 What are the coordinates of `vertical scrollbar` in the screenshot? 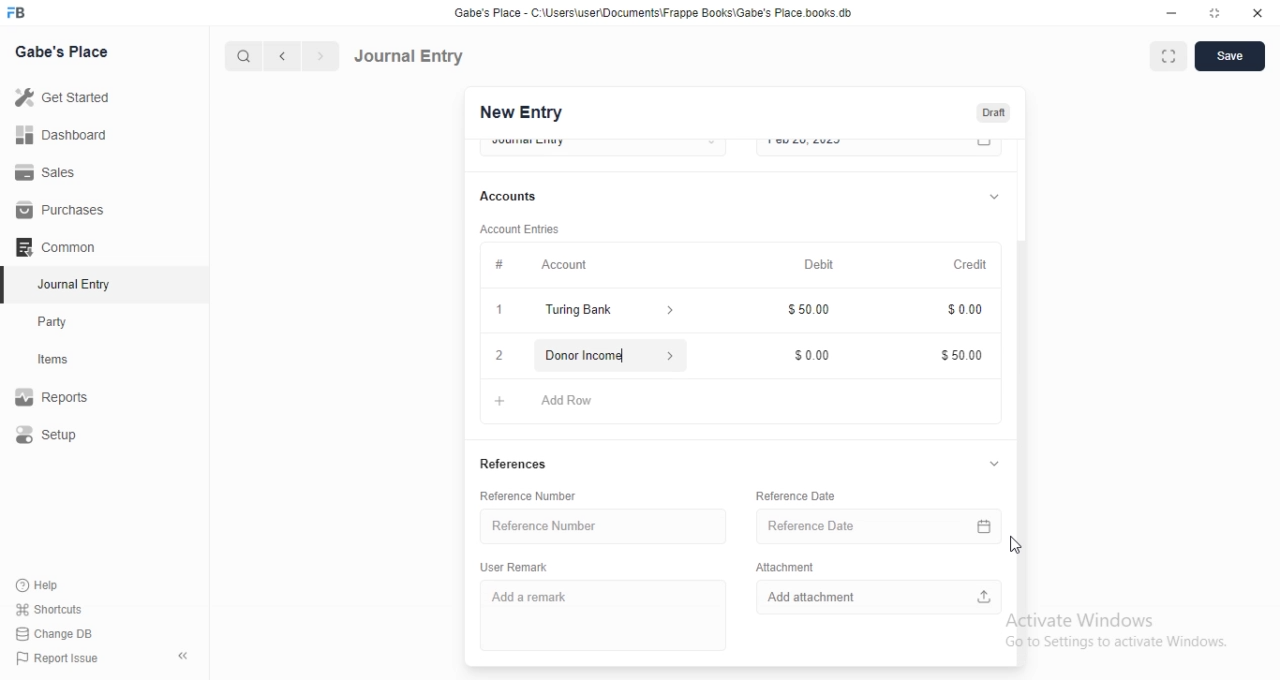 It's located at (1026, 451).